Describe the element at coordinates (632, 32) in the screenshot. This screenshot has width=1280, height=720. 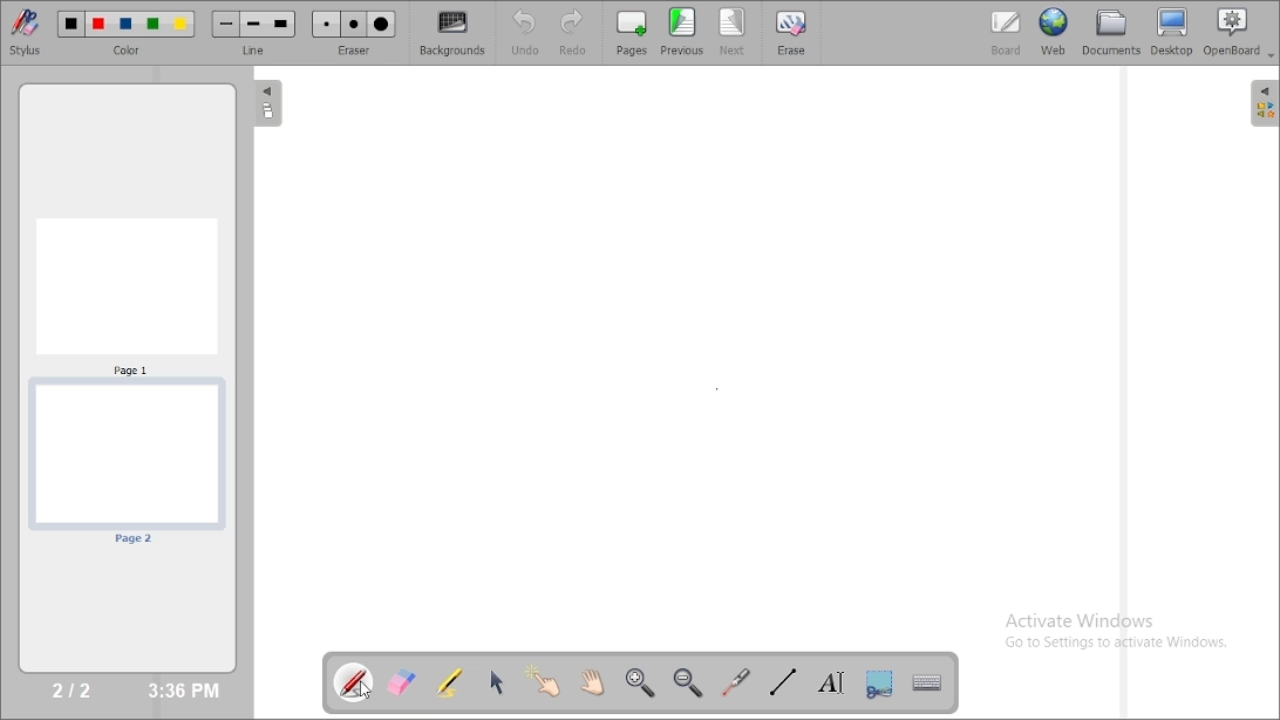
I see `pages` at that location.